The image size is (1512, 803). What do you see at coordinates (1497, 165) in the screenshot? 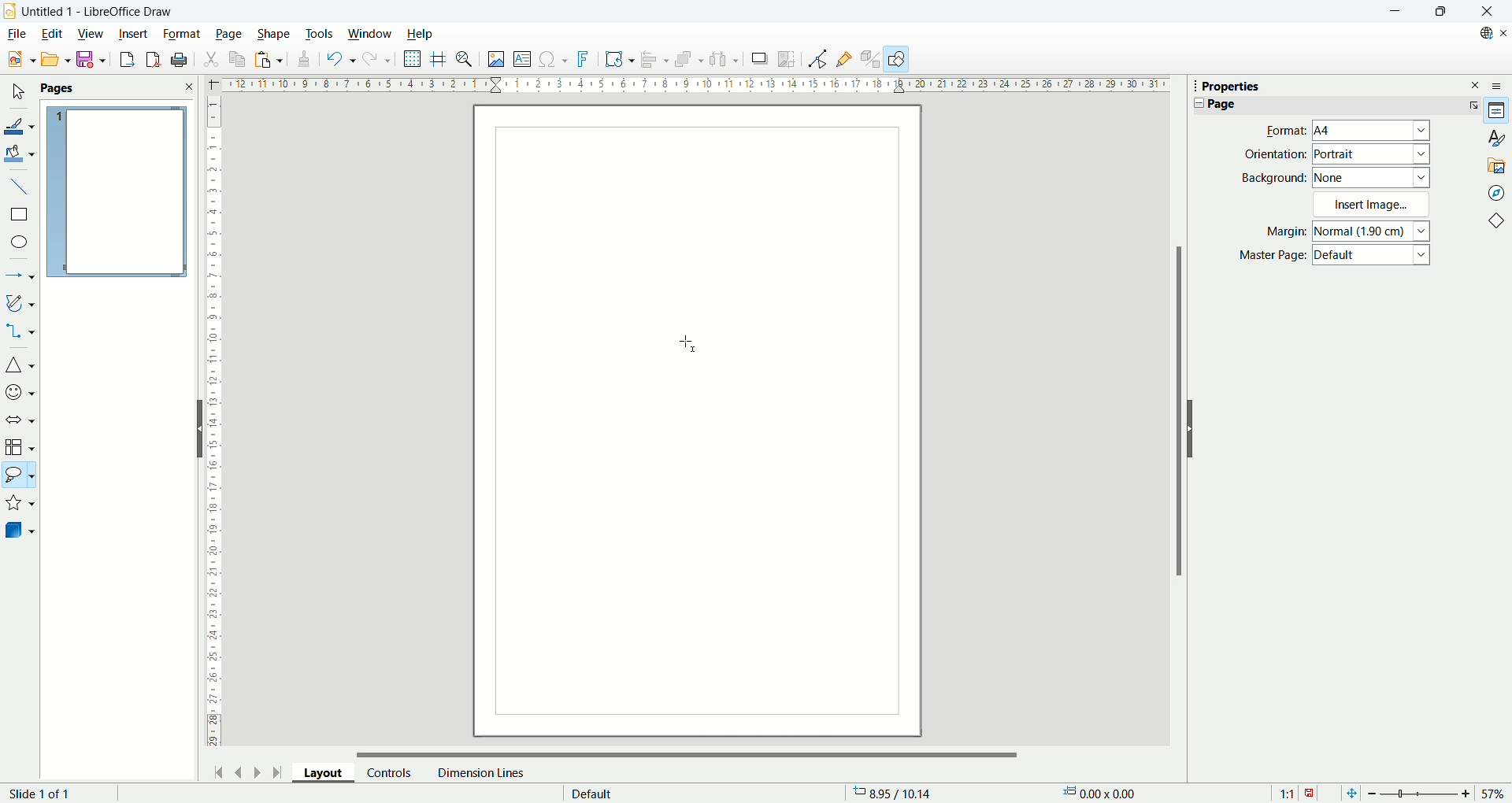
I see `Gallery` at bounding box center [1497, 165].